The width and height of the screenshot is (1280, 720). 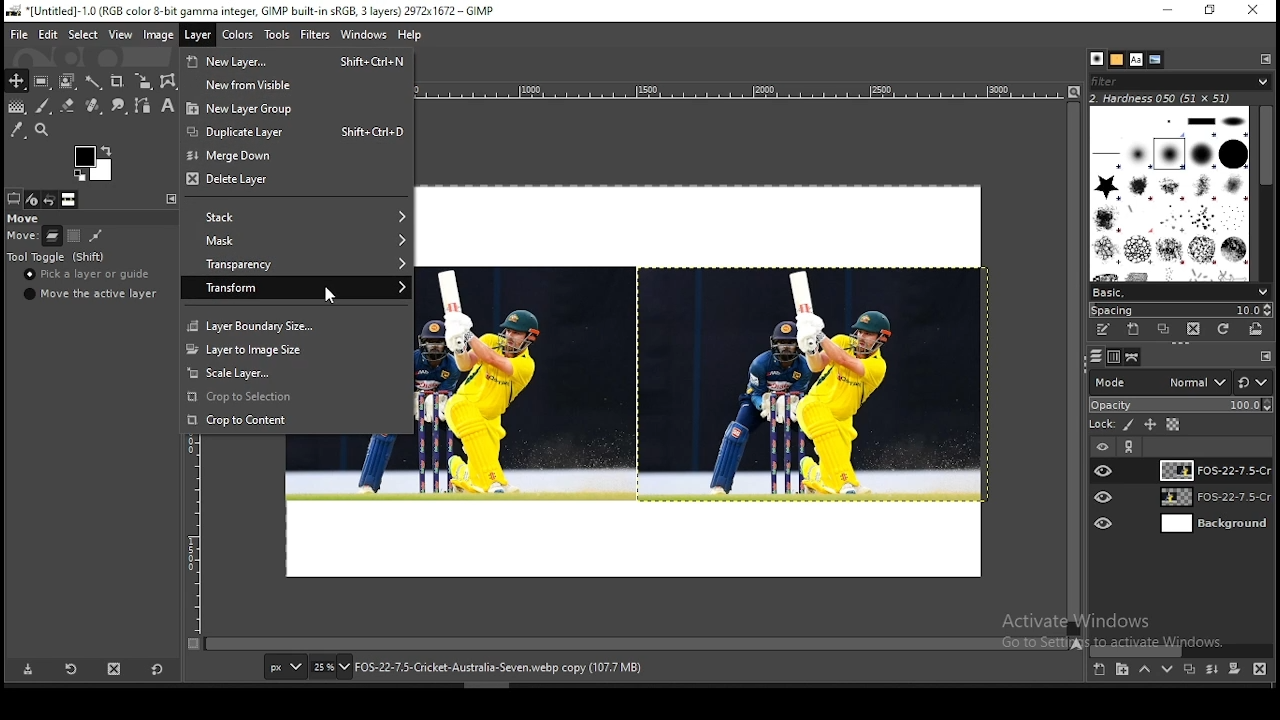 I want to click on transperancy, so click(x=296, y=262).